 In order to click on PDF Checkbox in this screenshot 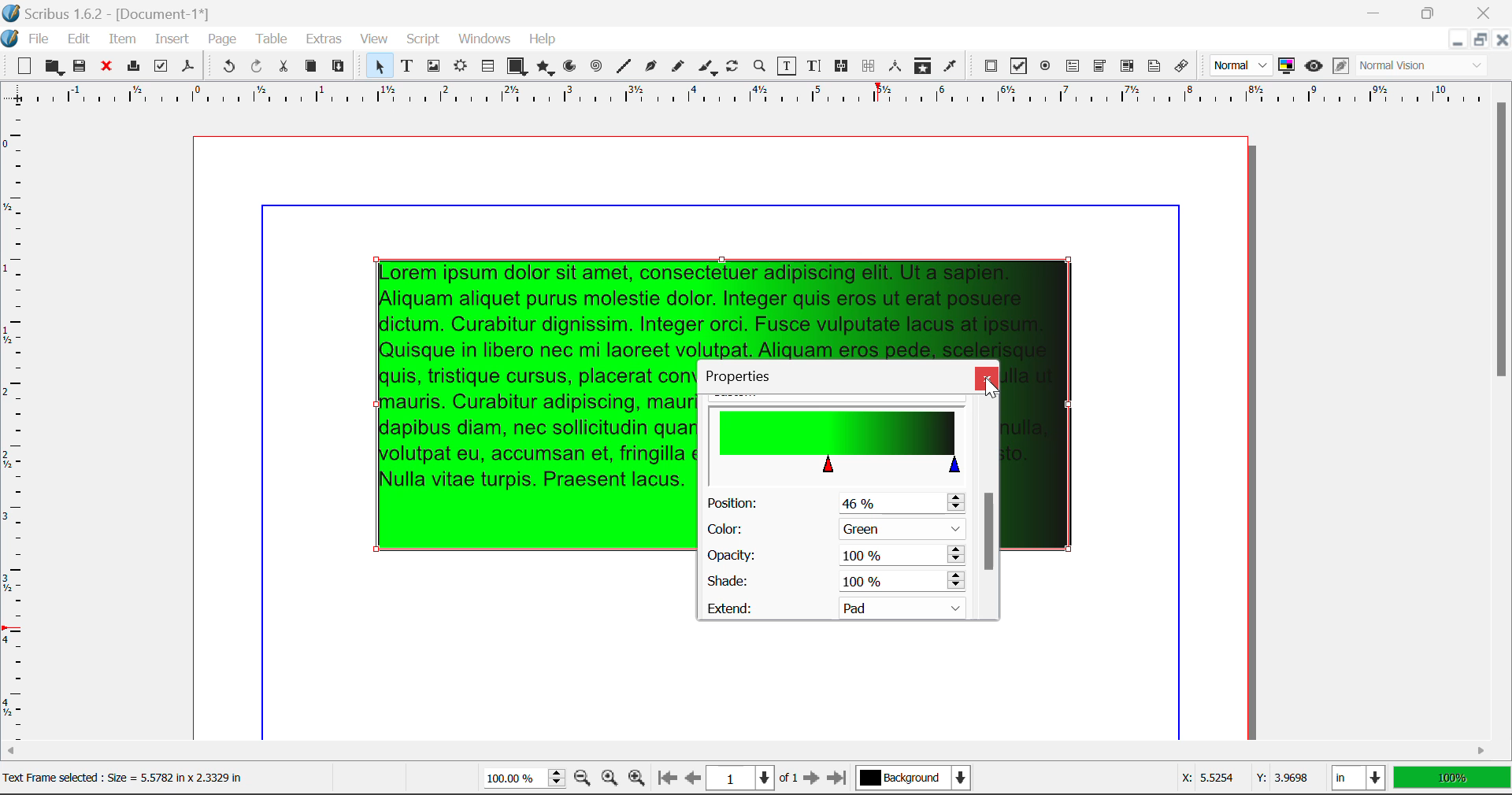, I will do `click(1017, 66)`.